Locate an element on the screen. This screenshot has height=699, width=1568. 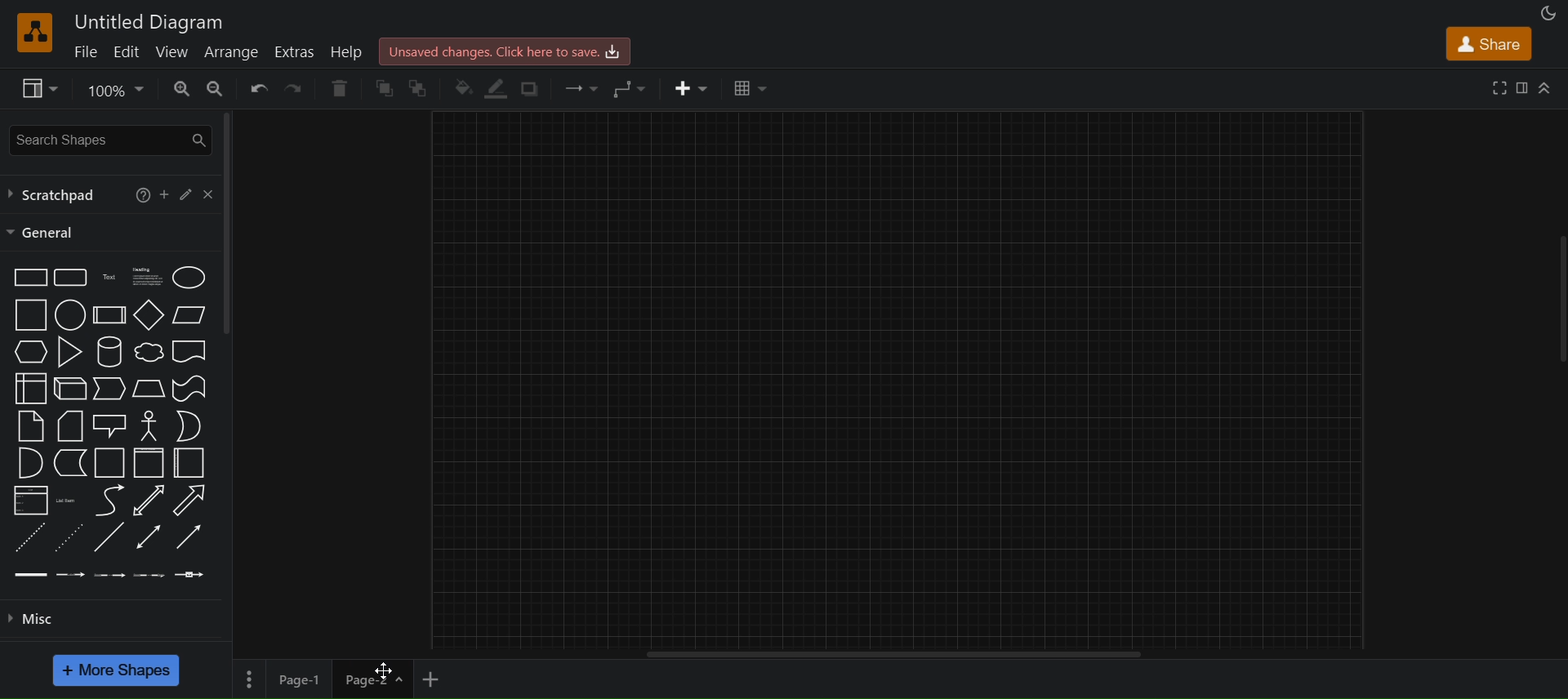
connector with 1 label is located at coordinates (70, 572).